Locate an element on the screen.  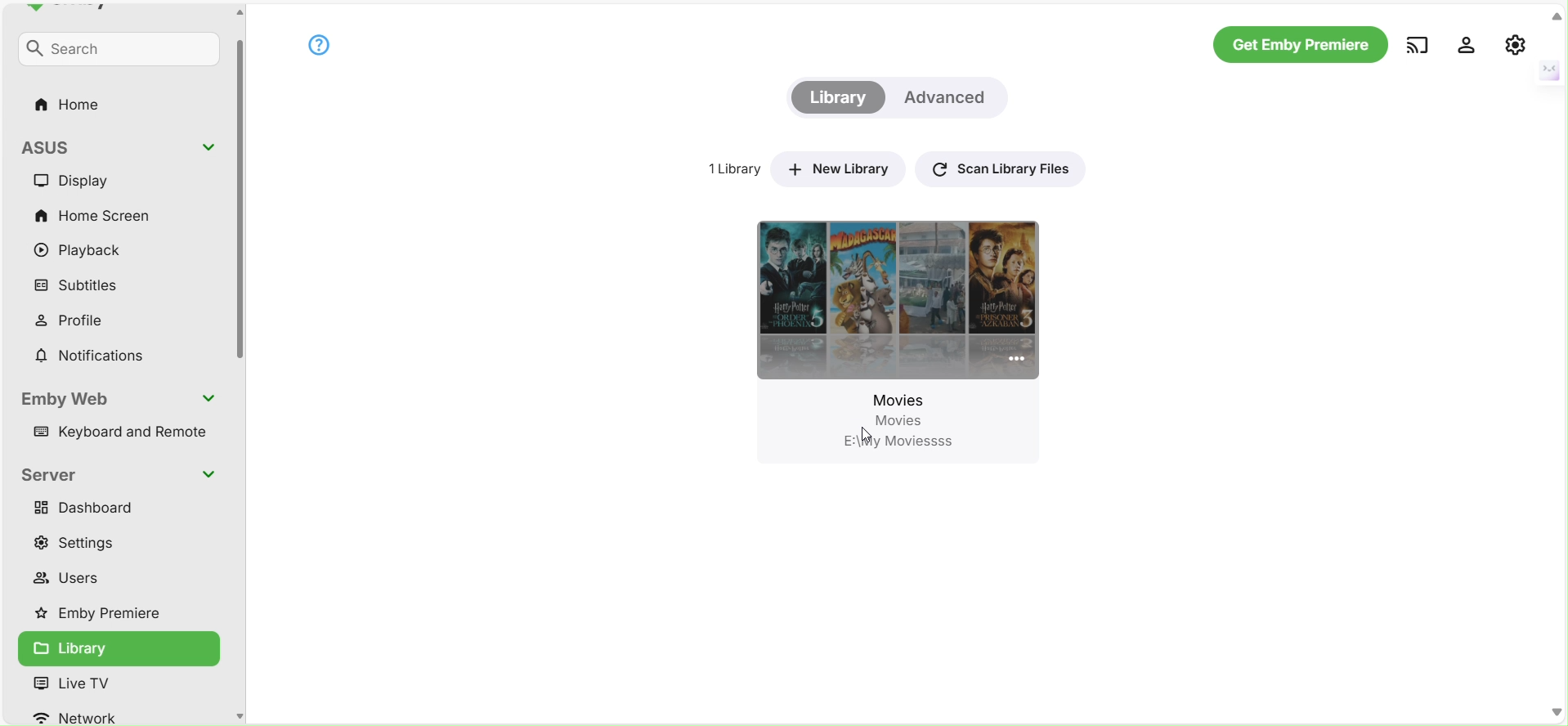
Dashboard is located at coordinates (90, 510).